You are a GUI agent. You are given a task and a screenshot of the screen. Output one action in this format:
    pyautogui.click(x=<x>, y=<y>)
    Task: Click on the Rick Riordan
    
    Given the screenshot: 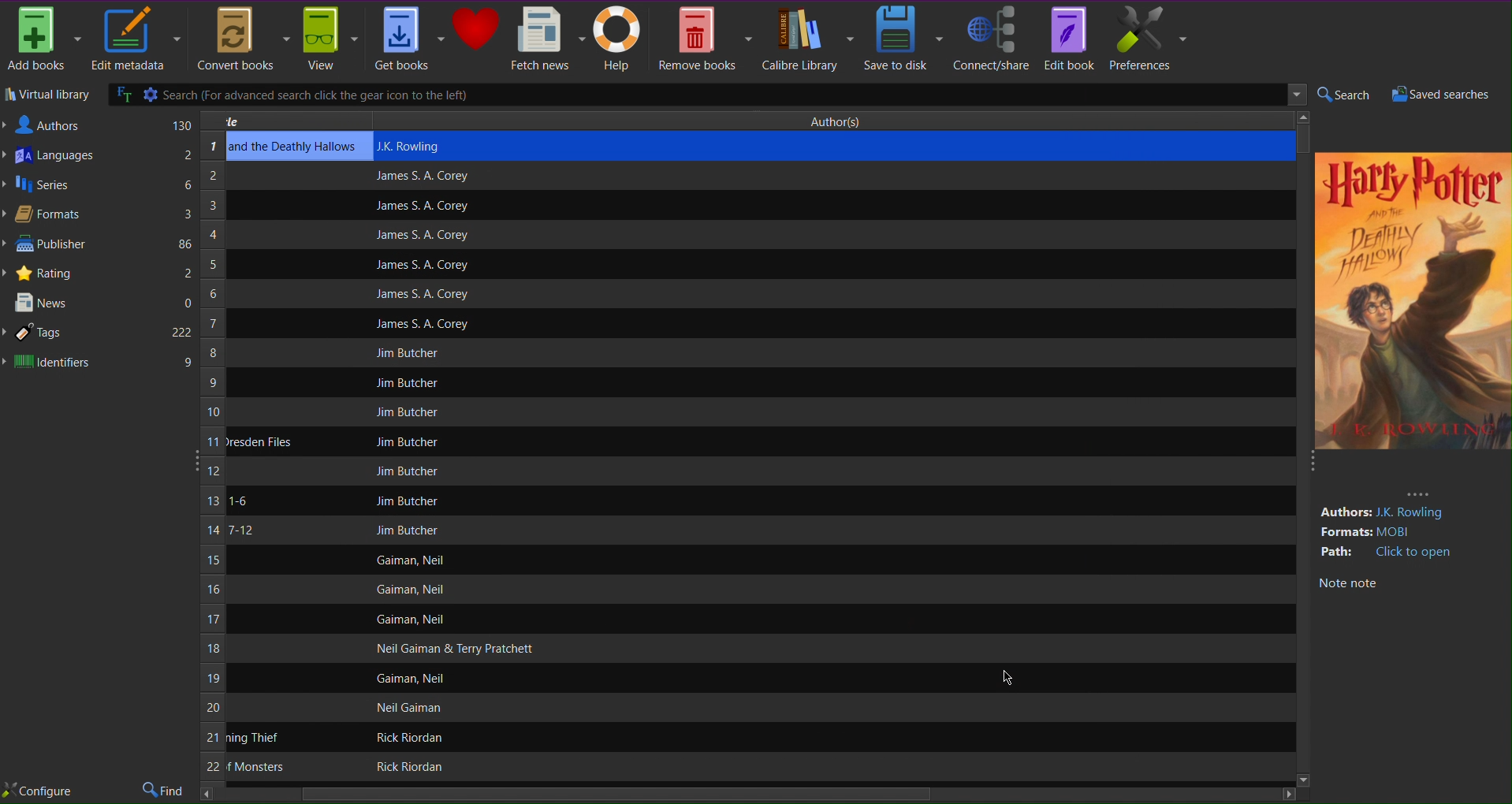 What is the action you would take?
    pyautogui.click(x=404, y=737)
    